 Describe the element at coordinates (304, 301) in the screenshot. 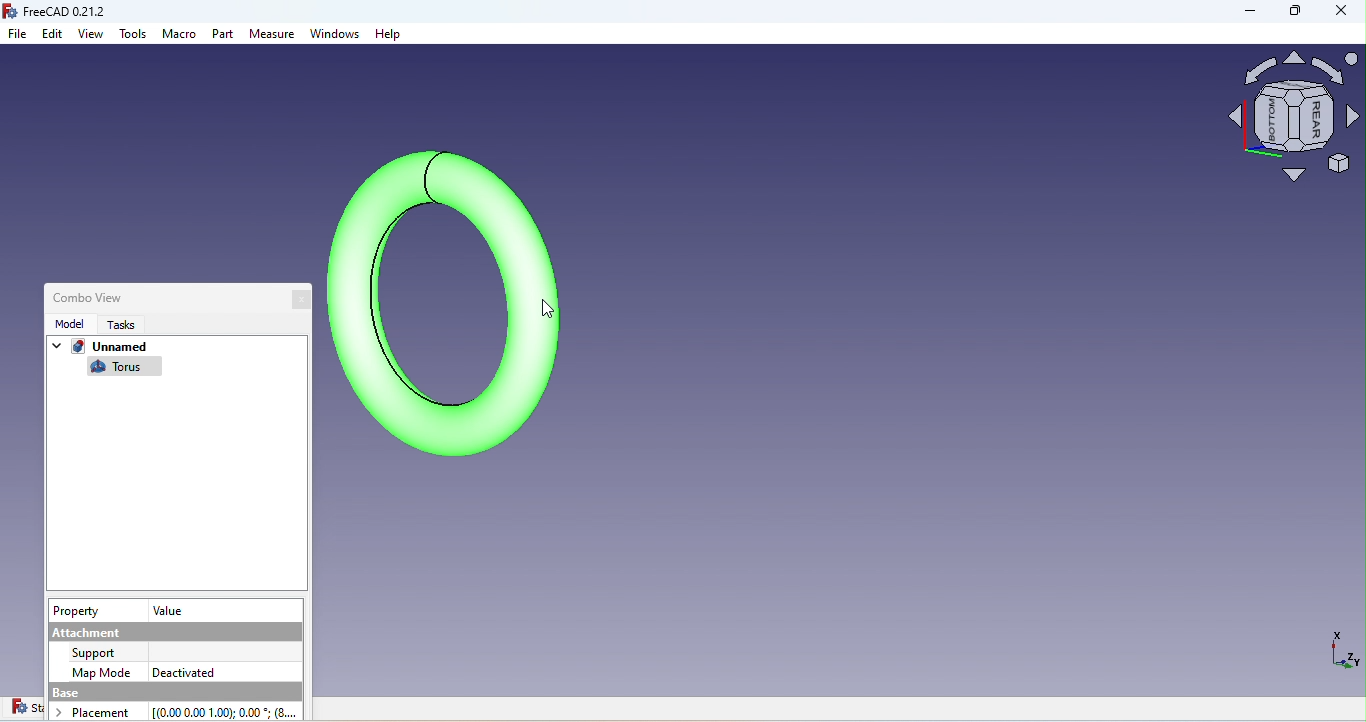

I see `Close` at that location.